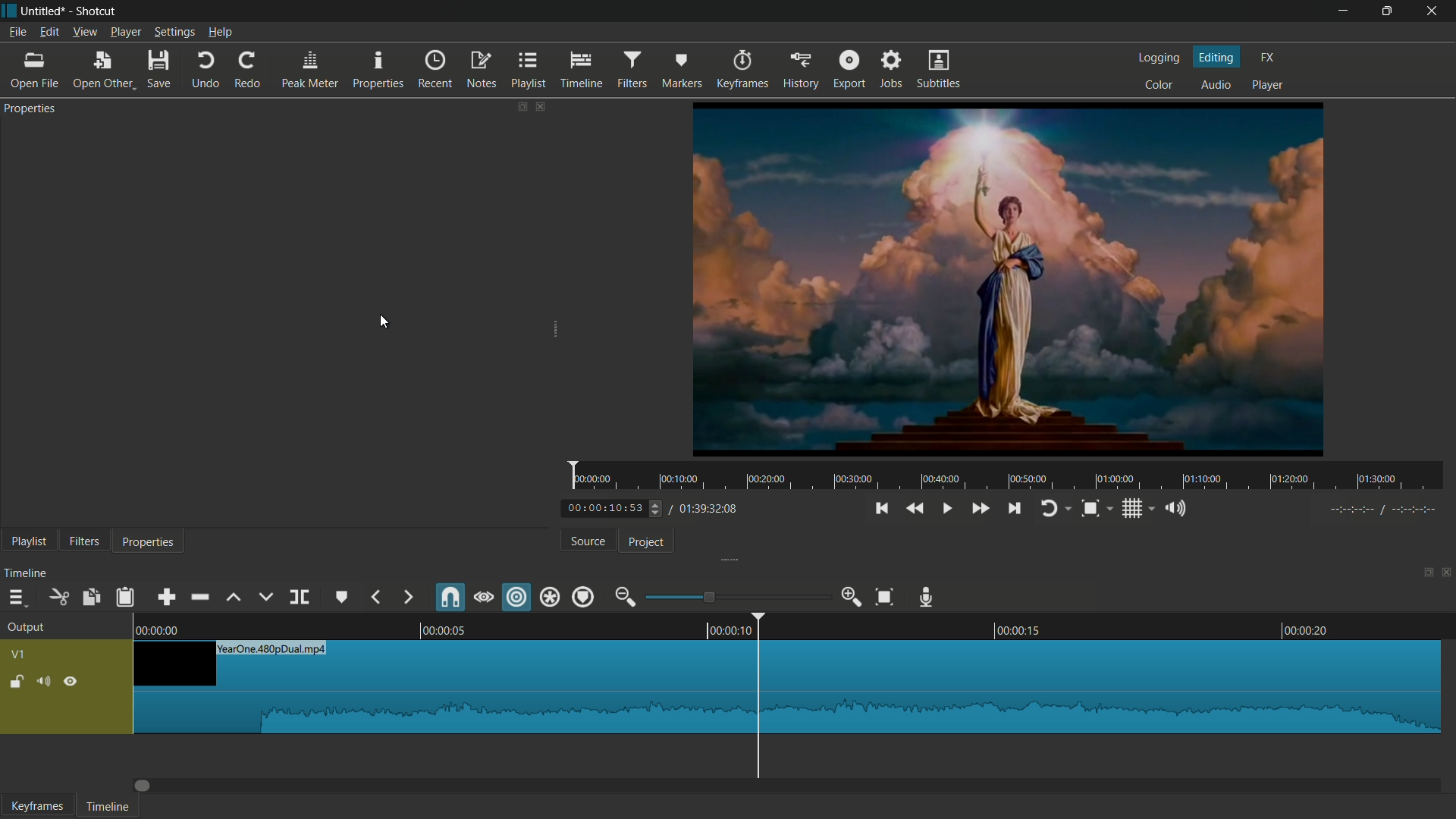  I want to click on lock, so click(15, 682).